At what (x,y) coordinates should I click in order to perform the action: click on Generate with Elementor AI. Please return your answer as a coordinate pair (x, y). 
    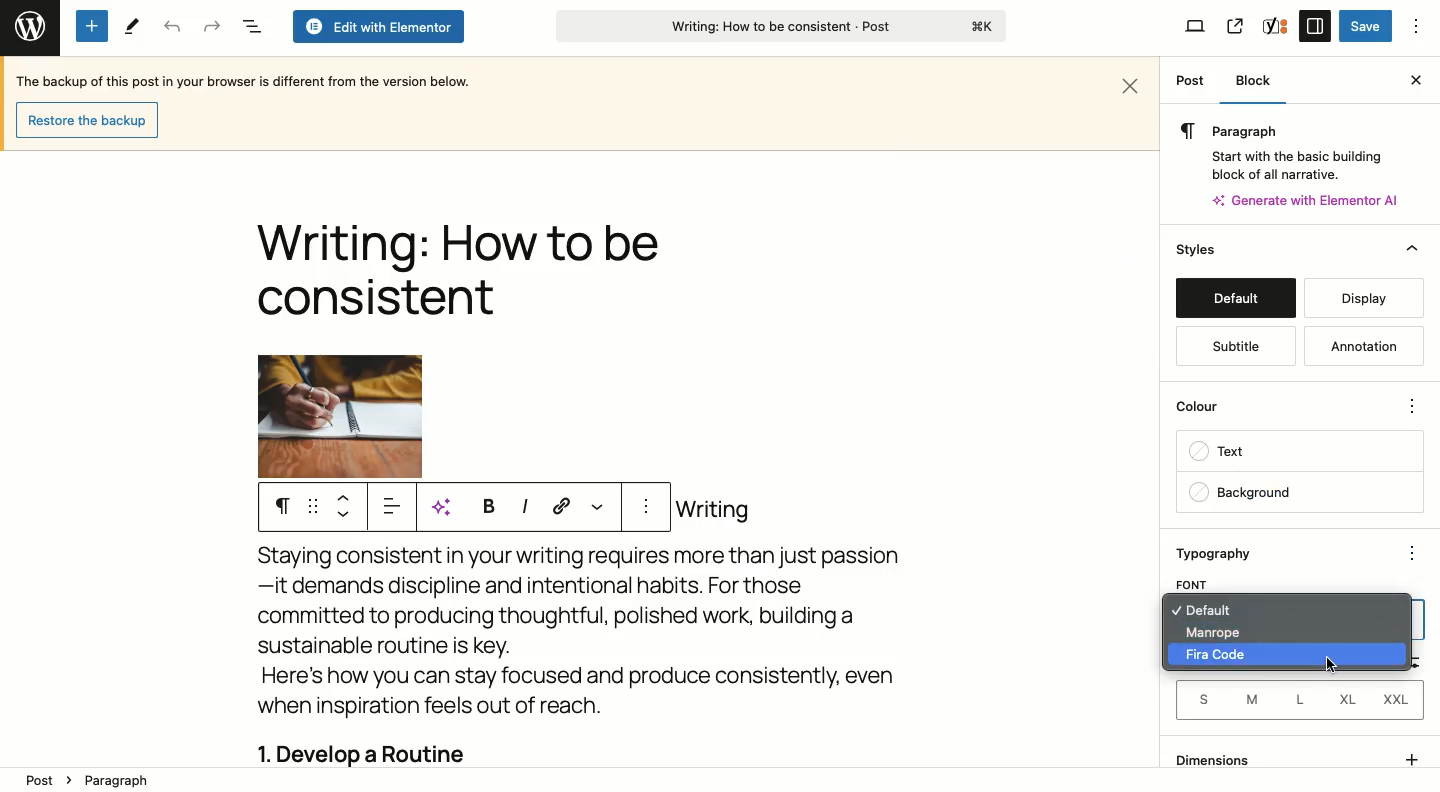
    Looking at the image, I should click on (1307, 200).